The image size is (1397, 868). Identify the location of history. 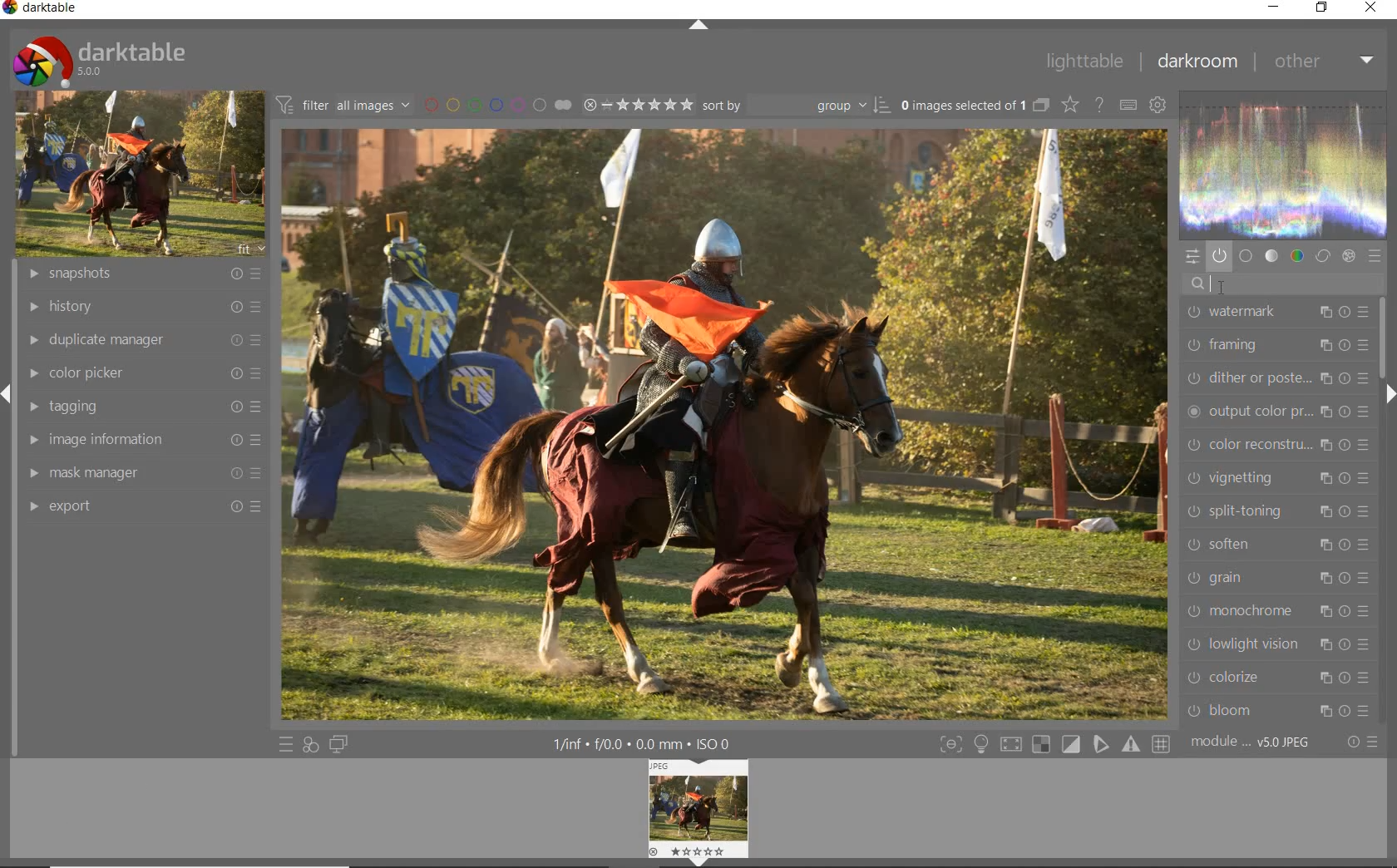
(142, 308).